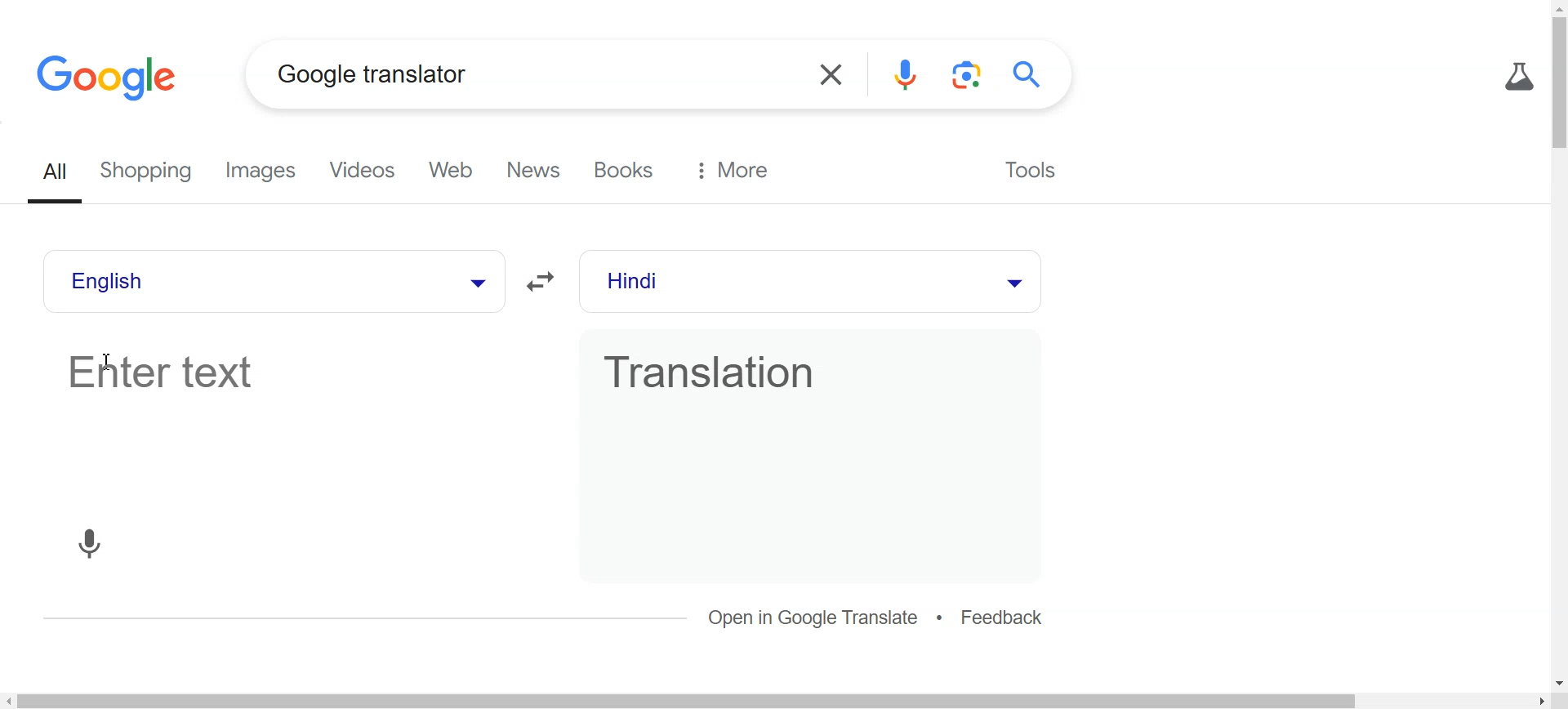  I want to click on Swap language, so click(545, 282).